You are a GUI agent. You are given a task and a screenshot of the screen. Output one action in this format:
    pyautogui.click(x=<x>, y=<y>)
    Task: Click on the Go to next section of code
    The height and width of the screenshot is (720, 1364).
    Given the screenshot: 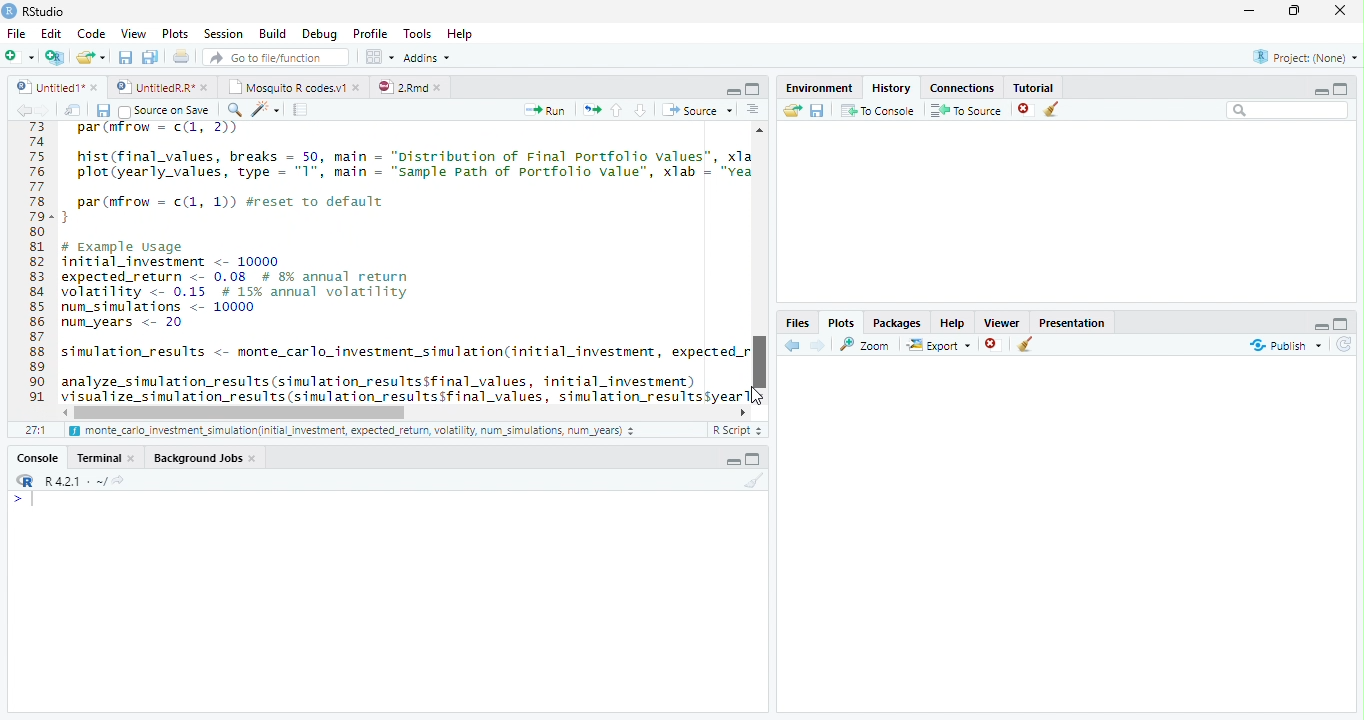 What is the action you would take?
    pyautogui.click(x=642, y=111)
    